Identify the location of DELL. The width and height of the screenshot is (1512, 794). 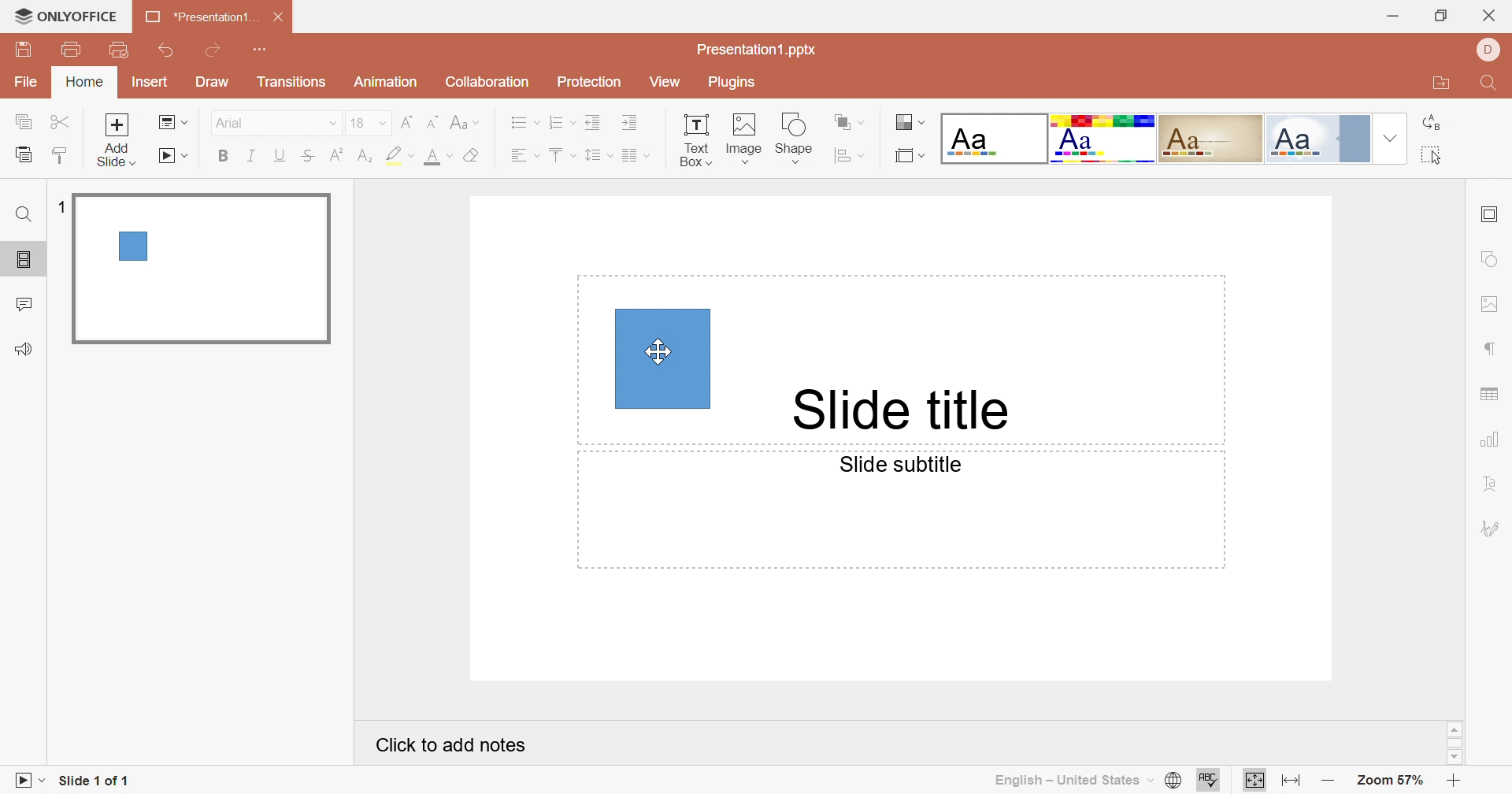
(1485, 50).